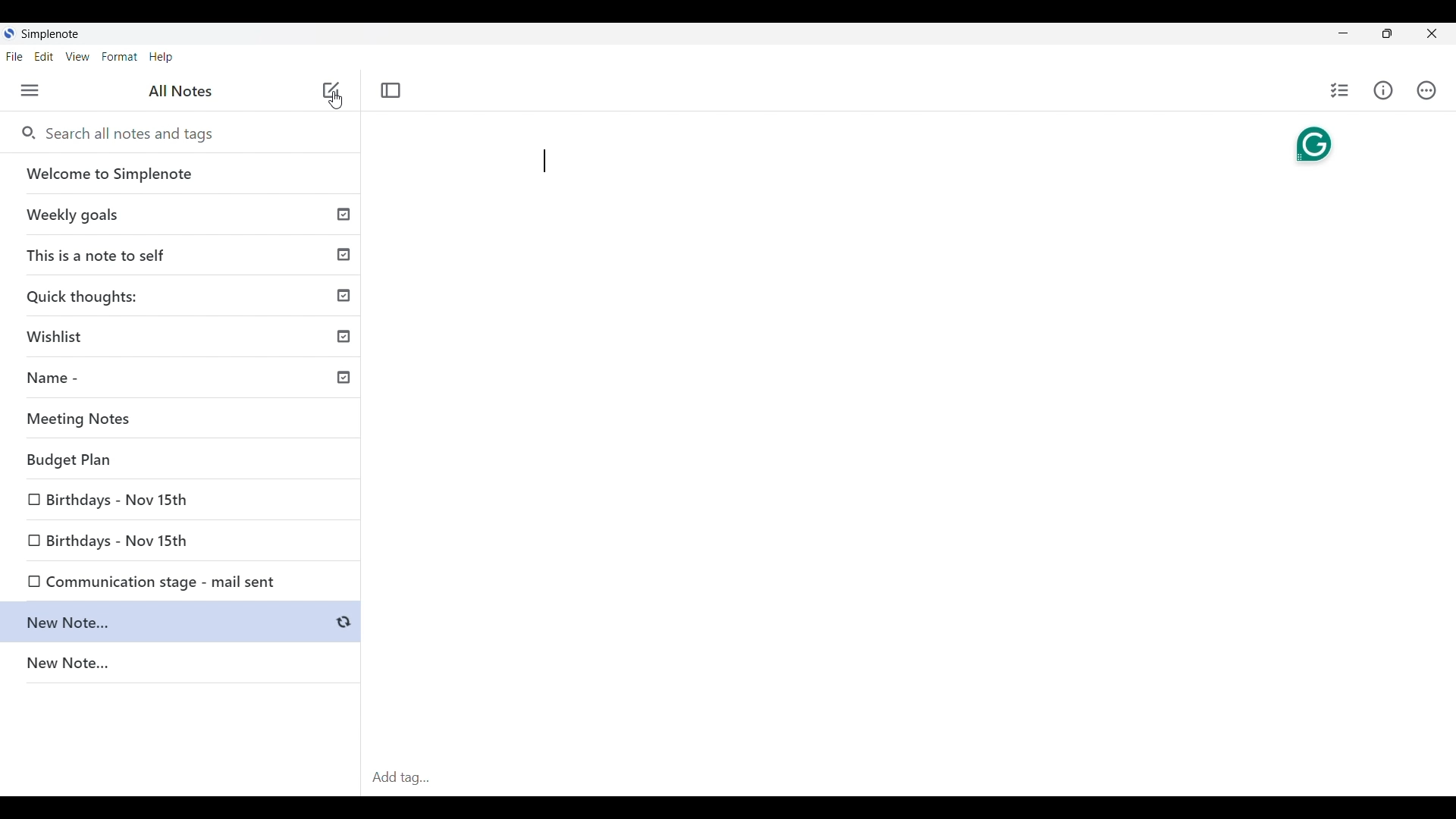 The width and height of the screenshot is (1456, 819). What do you see at coordinates (183, 254) in the screenshot?
I see `This is a note to self` at bounding box center [183, 254].